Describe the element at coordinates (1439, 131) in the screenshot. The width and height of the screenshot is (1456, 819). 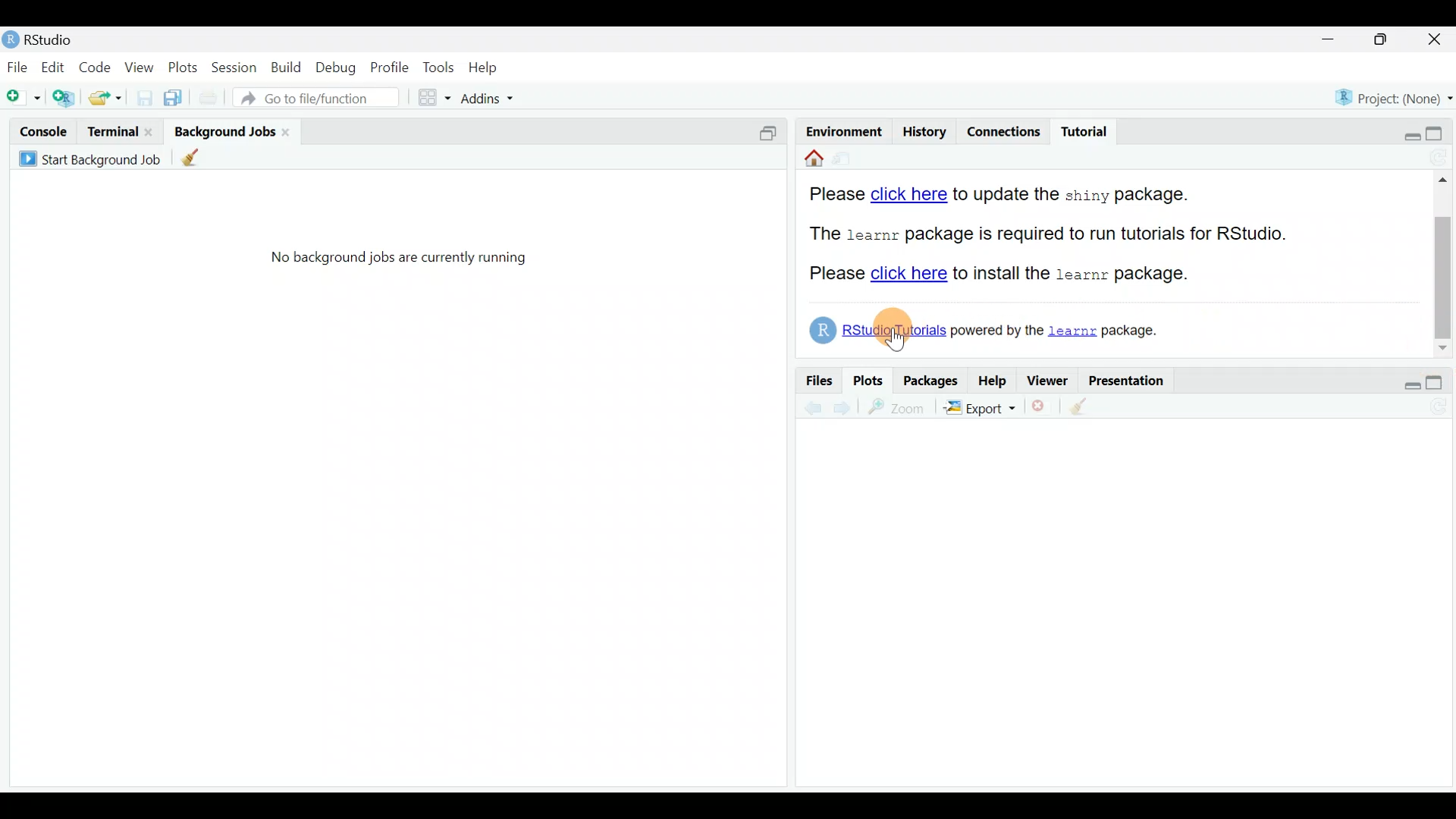
I see `Maximize` at that location.